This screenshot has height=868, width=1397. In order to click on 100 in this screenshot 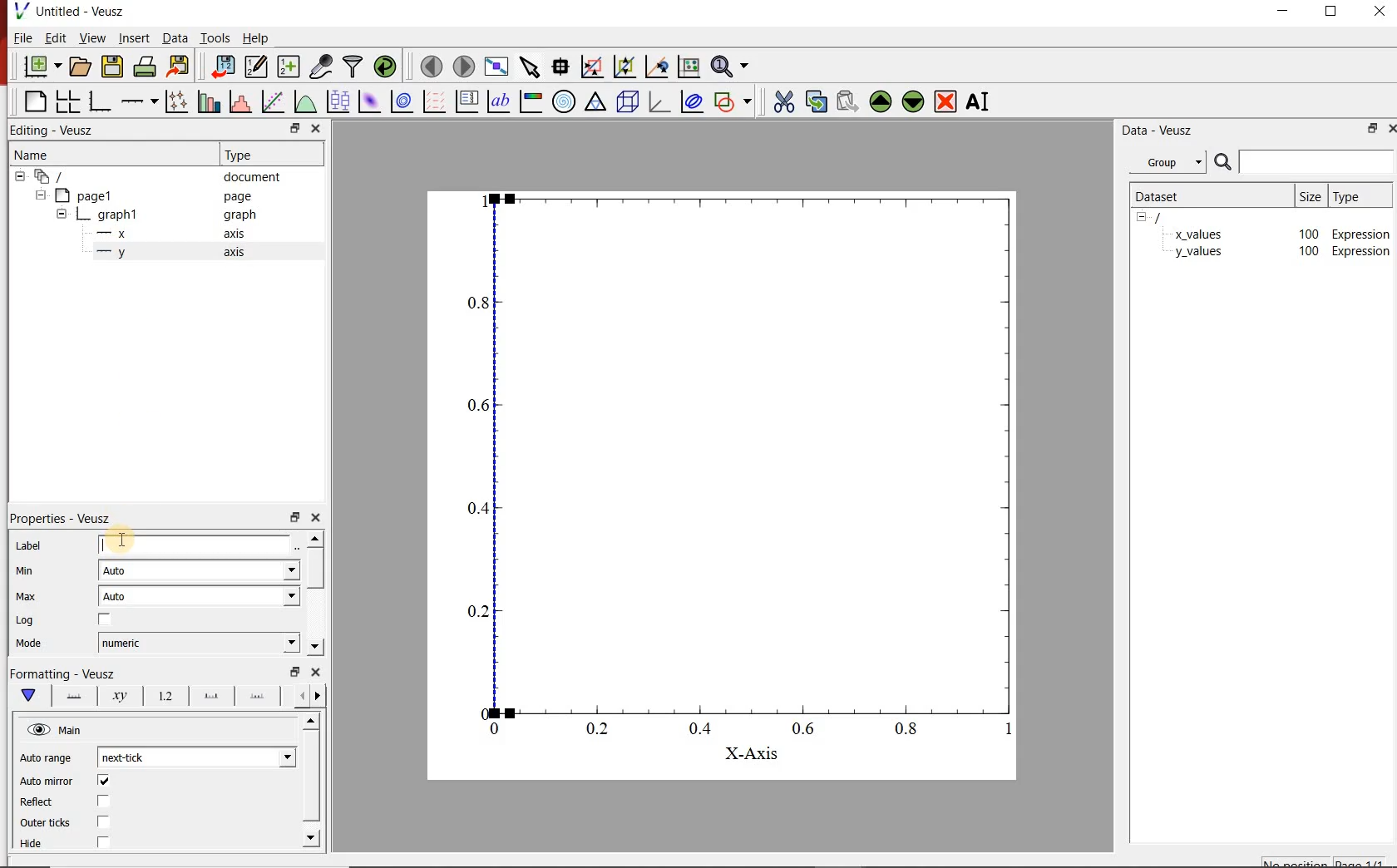, I will do `click(1307, 253)`.